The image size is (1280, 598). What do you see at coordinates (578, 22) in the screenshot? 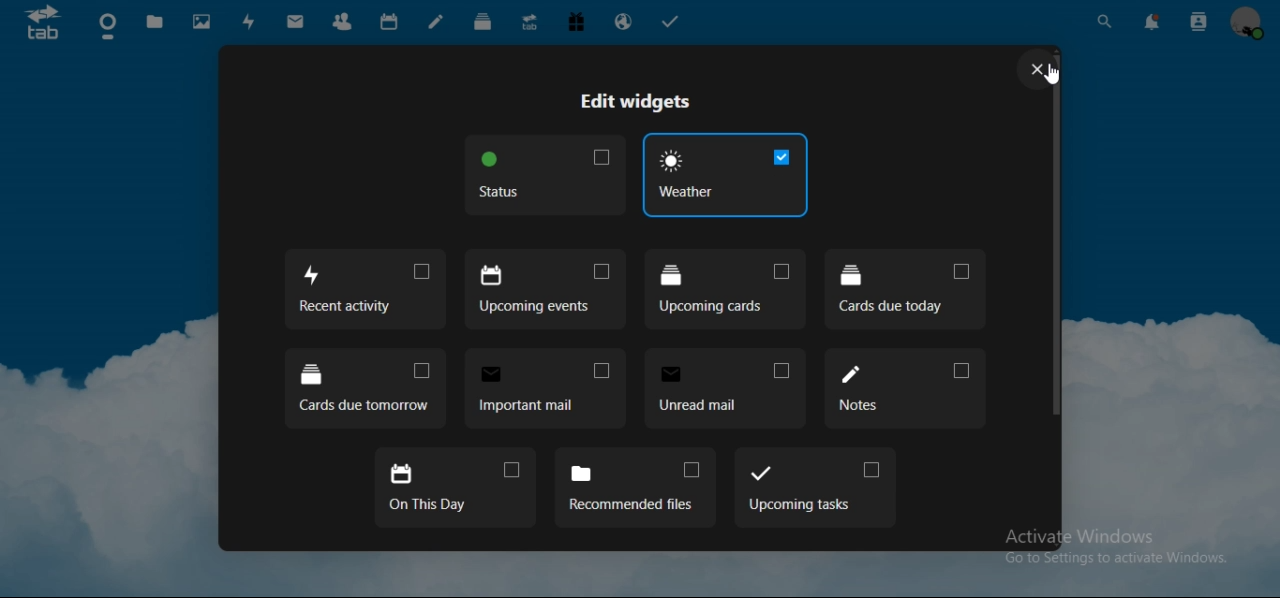
I see `free trial` at bounding box center [578, 22].